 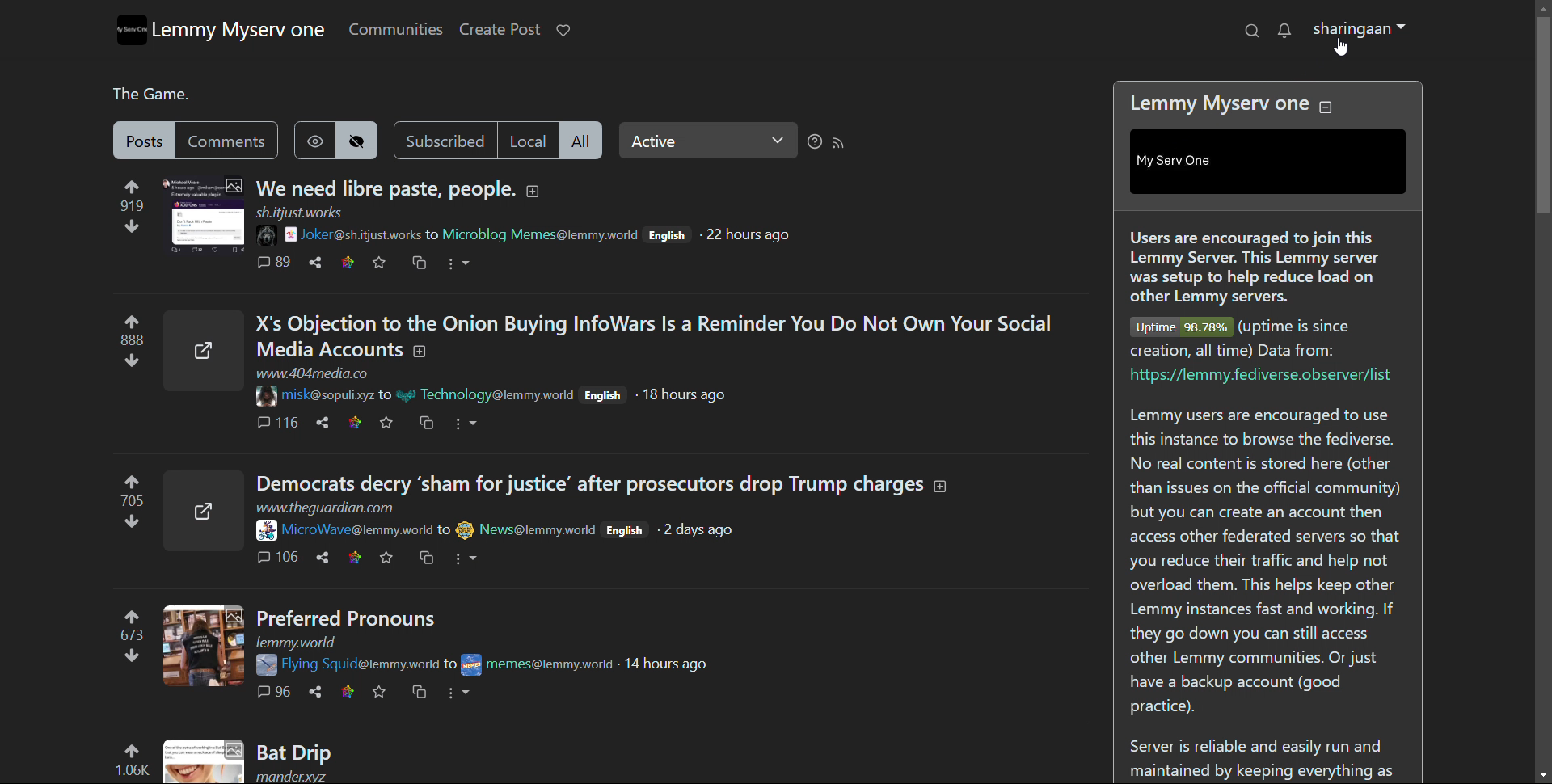 What do you see at coordinates (356, 424) in the screenshot?
I see `link` at bounding box center [356, 424].